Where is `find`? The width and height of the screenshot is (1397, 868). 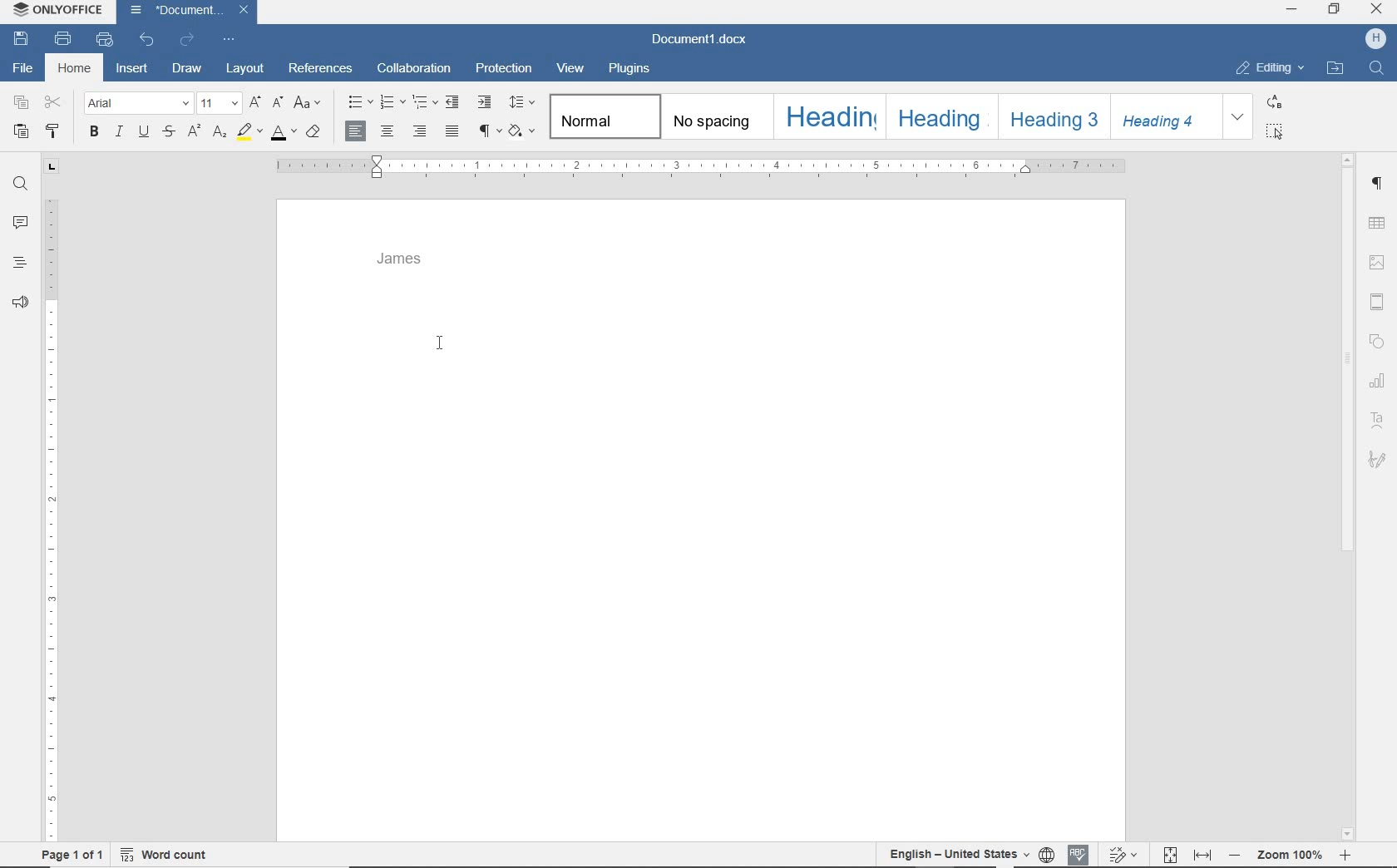 find is located at coordinates (18, 184).